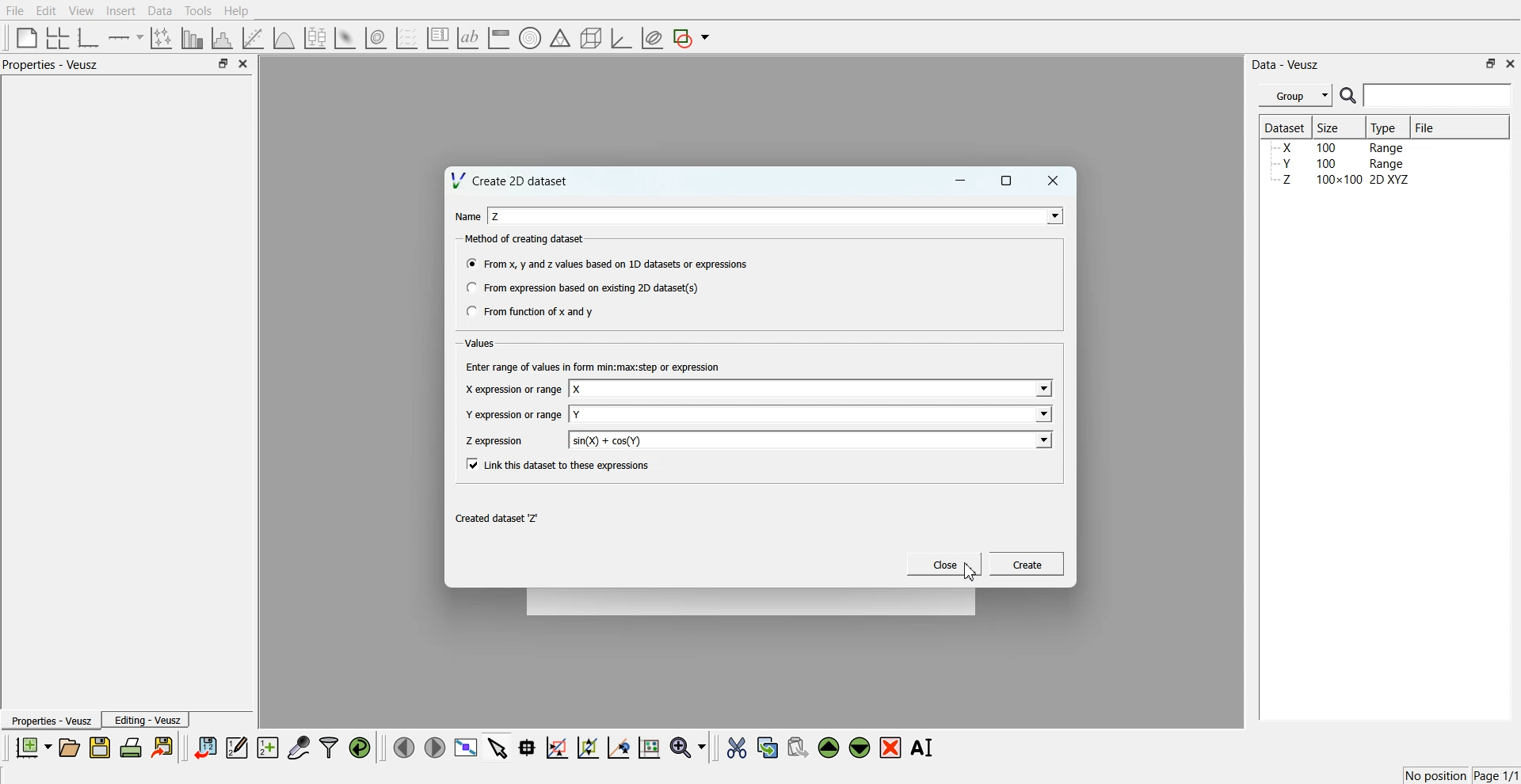  Describe the element at coordinates (608, 440) in the screenshot. I see `sin(X) + cos(Y)` at that location.